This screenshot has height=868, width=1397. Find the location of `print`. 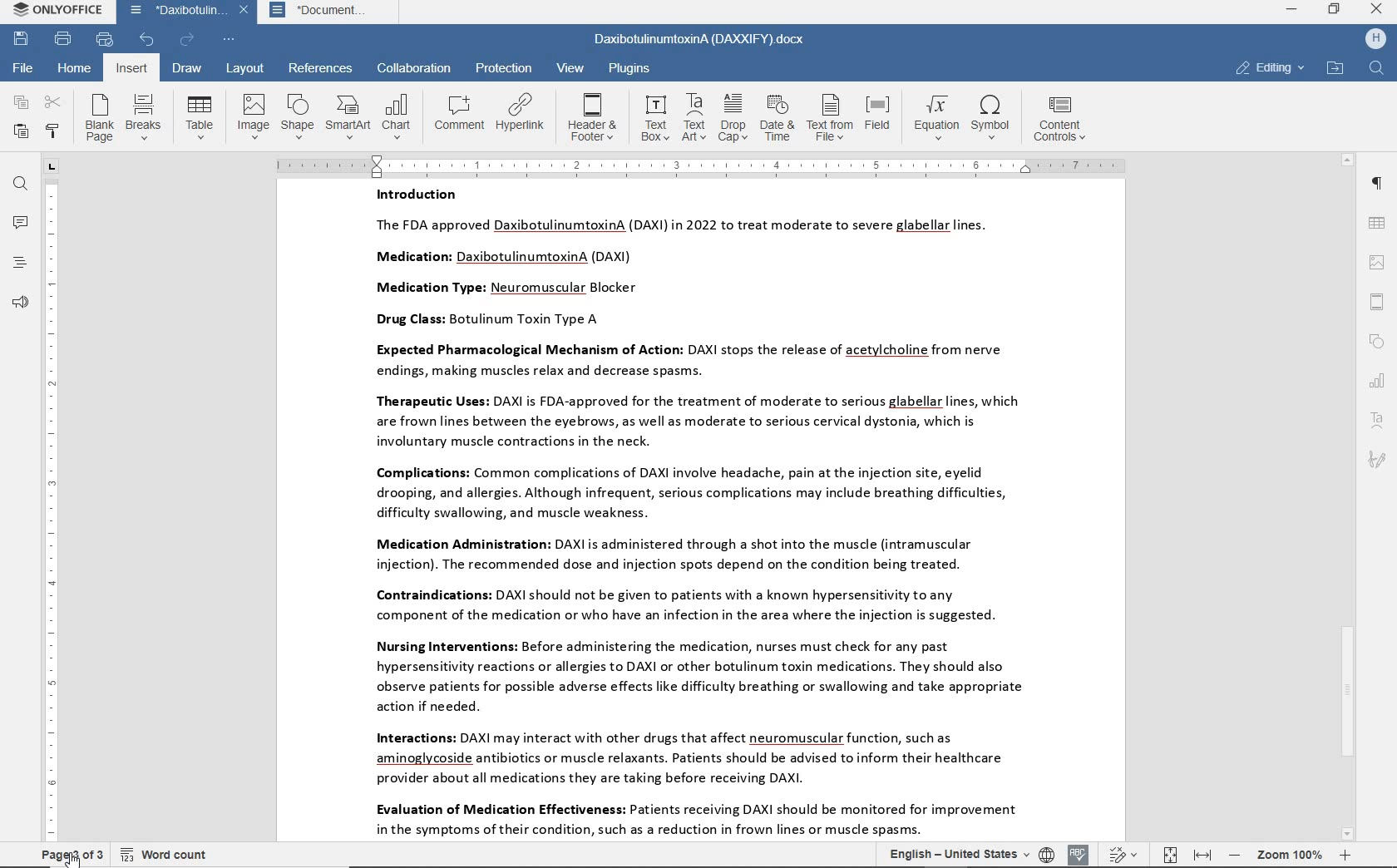

print is located at coordinates (64, 39).